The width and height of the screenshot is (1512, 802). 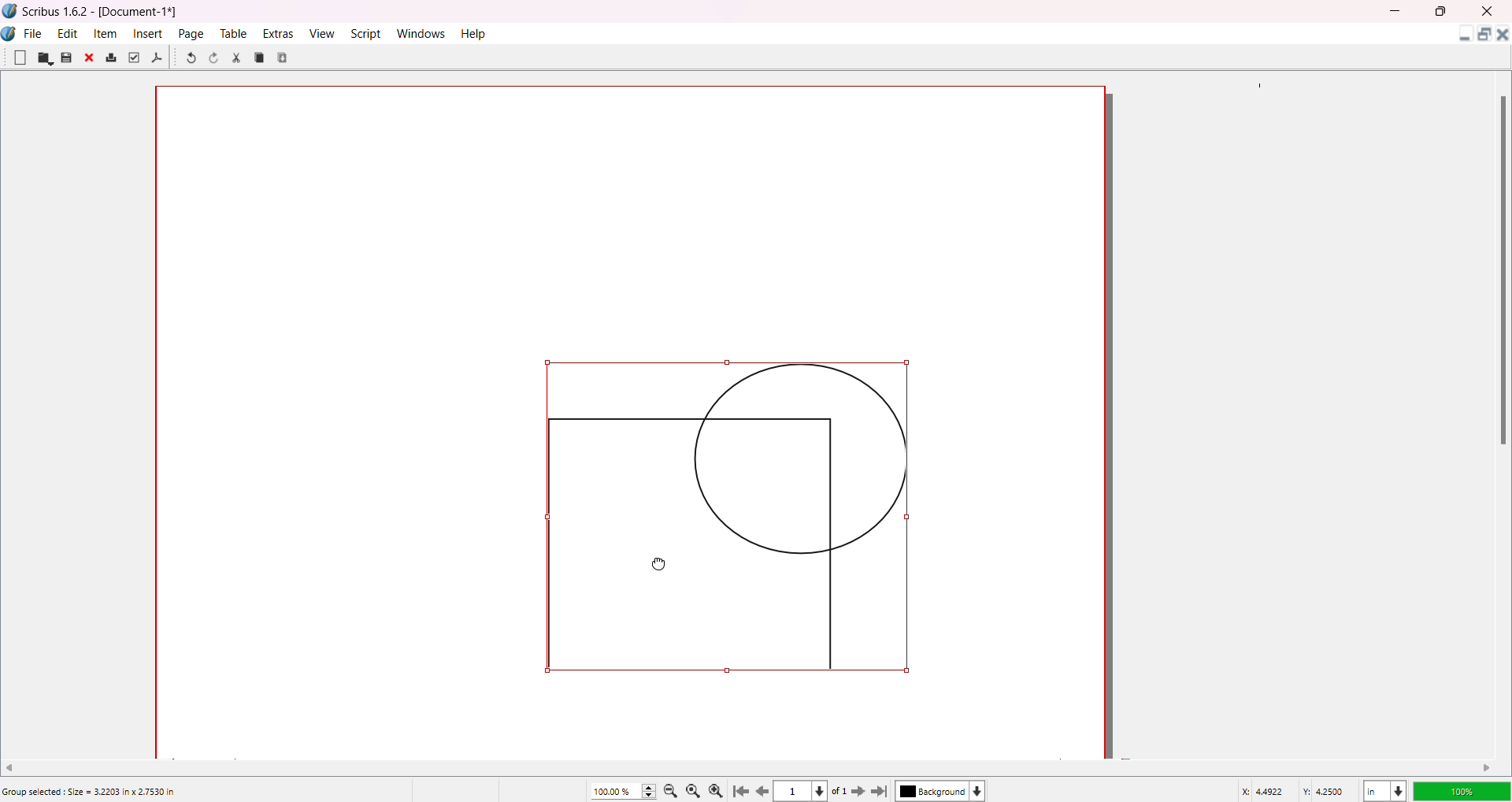 I want to click on Zoom in, so click(x=719, y=789).